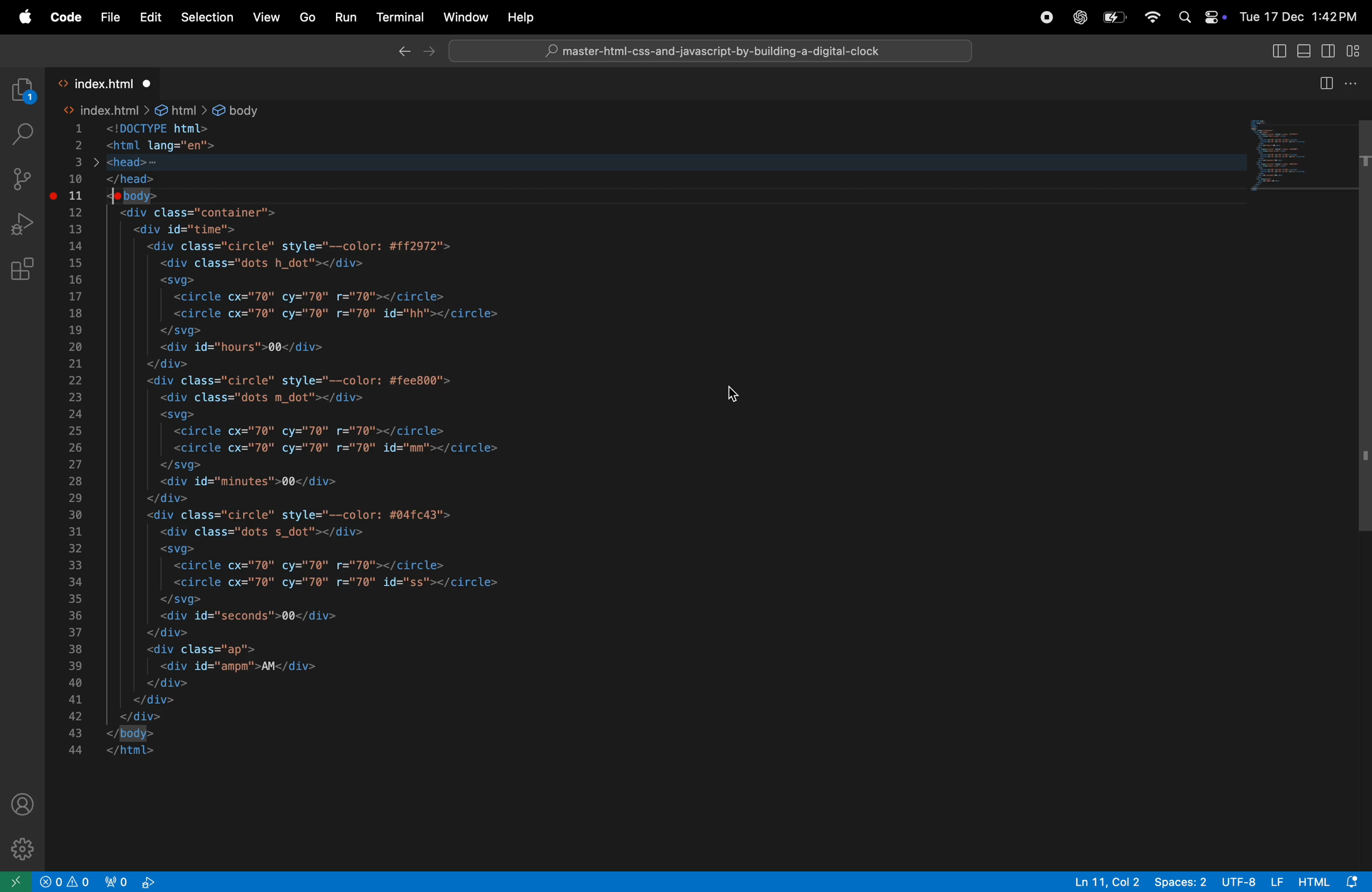  Describe the element at coordinates (466, 18) in the screenshot. I see `window` at that location.